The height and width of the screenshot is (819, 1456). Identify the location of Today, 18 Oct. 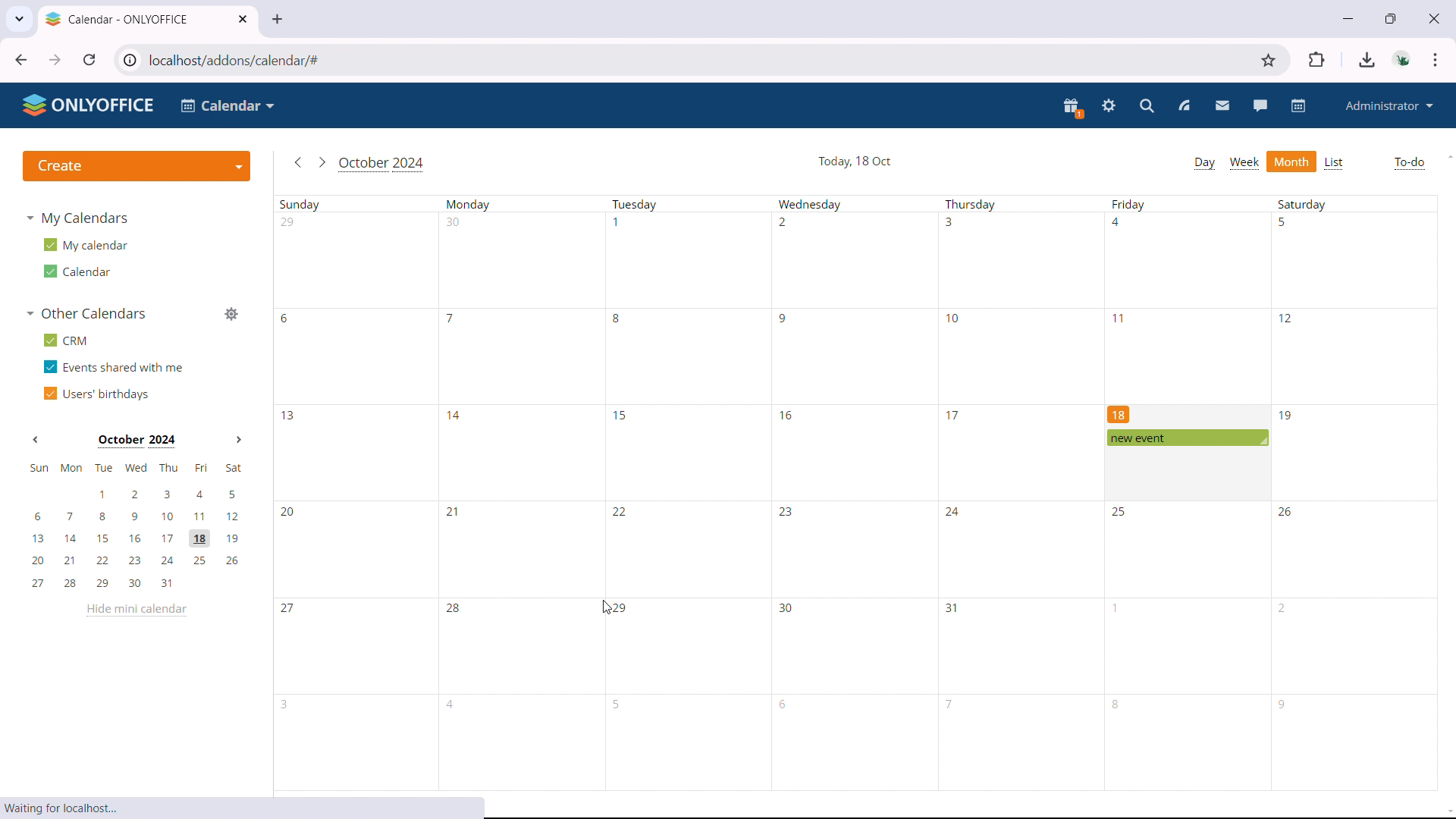
(855, 161).